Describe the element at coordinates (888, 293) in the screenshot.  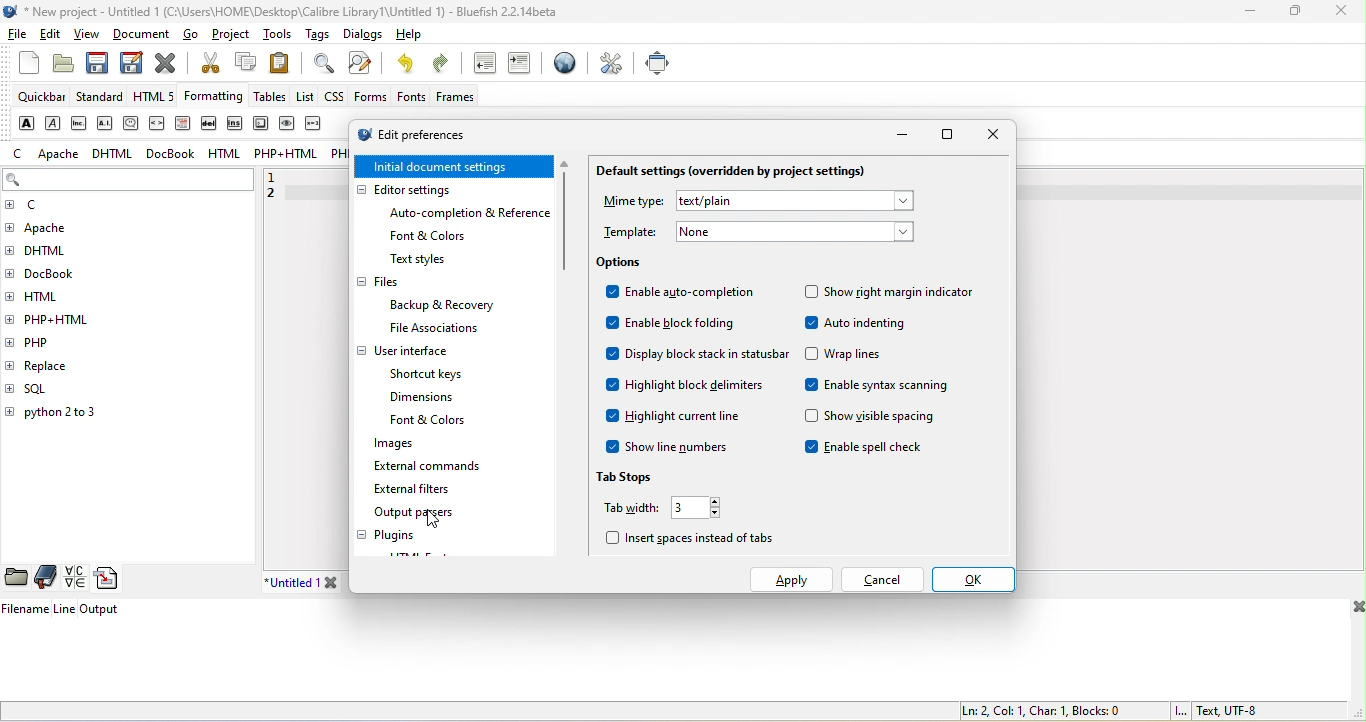
I see `show right margin indicator` at that location.